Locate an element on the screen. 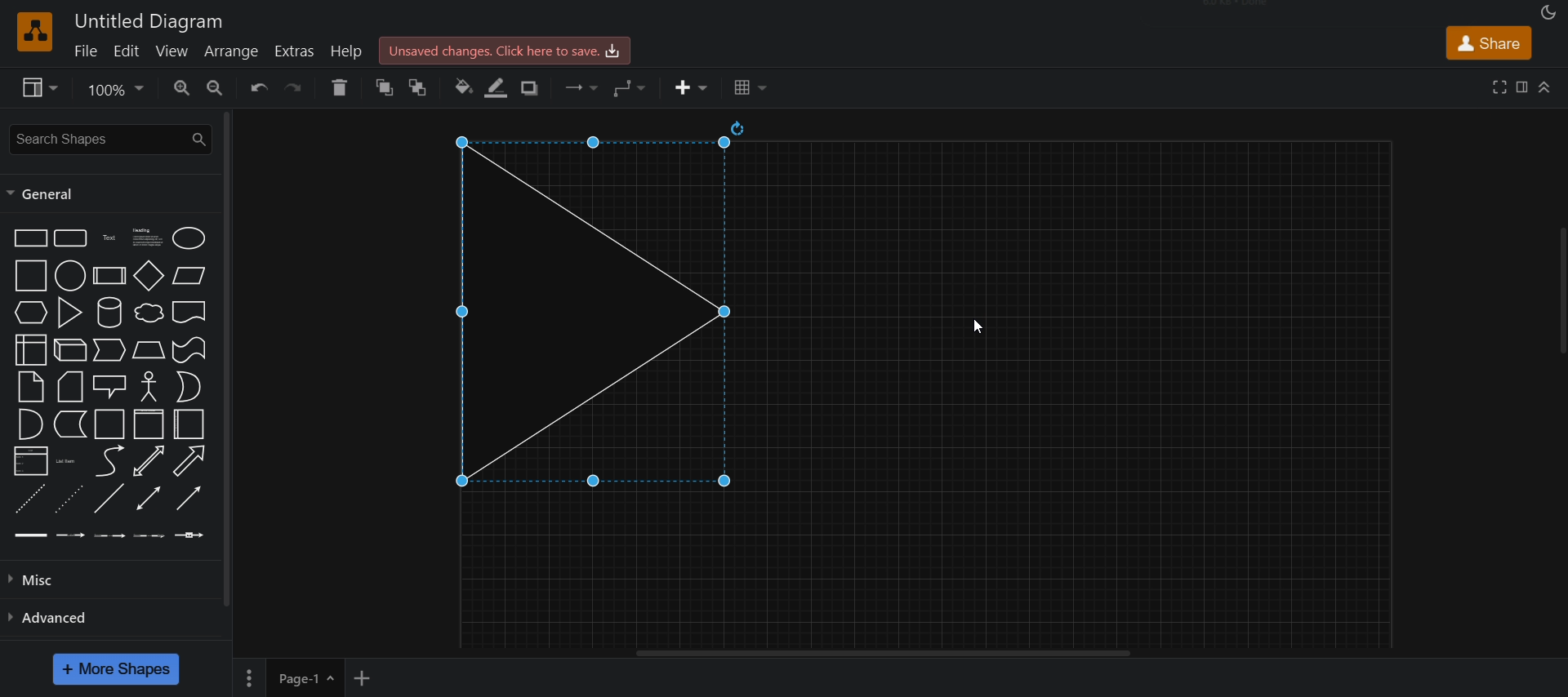 Image resolution: width=1568 pixels, height=697 pixels. collapase/expand is located at coordinates (1543, 89).